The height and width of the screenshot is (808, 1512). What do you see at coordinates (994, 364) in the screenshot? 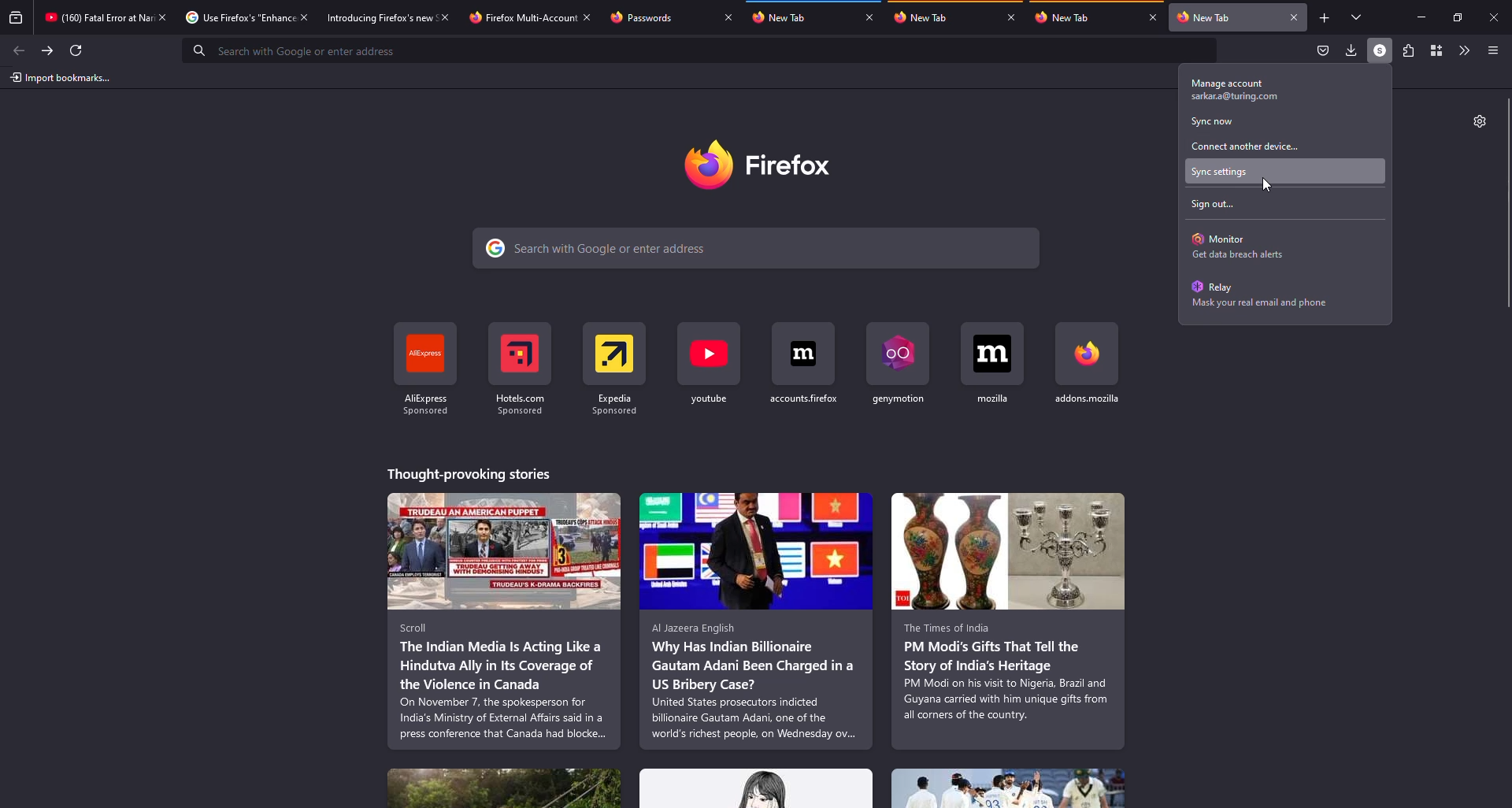
I see `shortcut` at bounding box center [994, 364].